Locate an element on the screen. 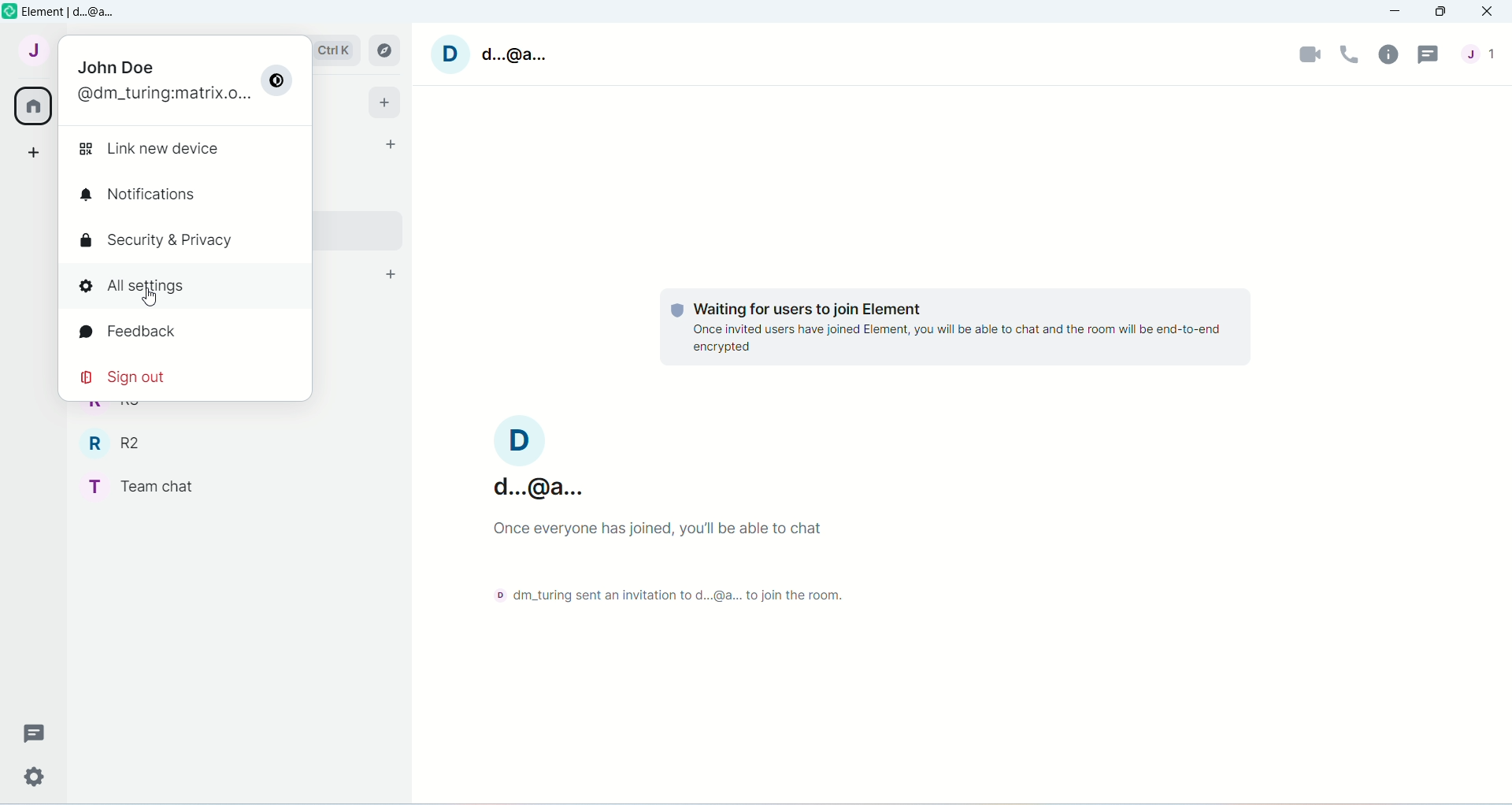  Quick settings is located at coordinates (35, 774).